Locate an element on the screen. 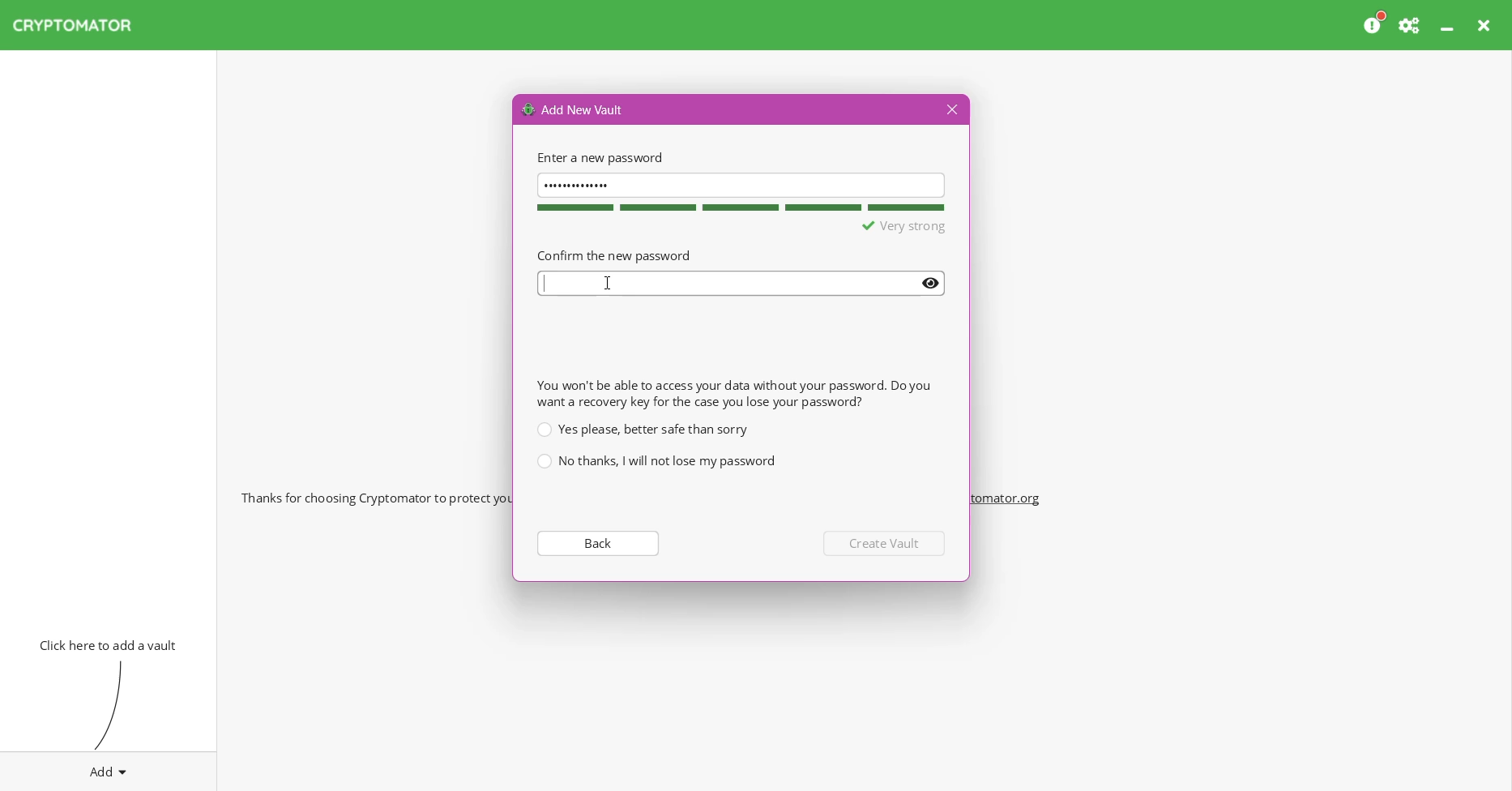 Image resolution: width=1512 pixels, height=791 pixels. Minimize is located at coordinates (1449, 25).